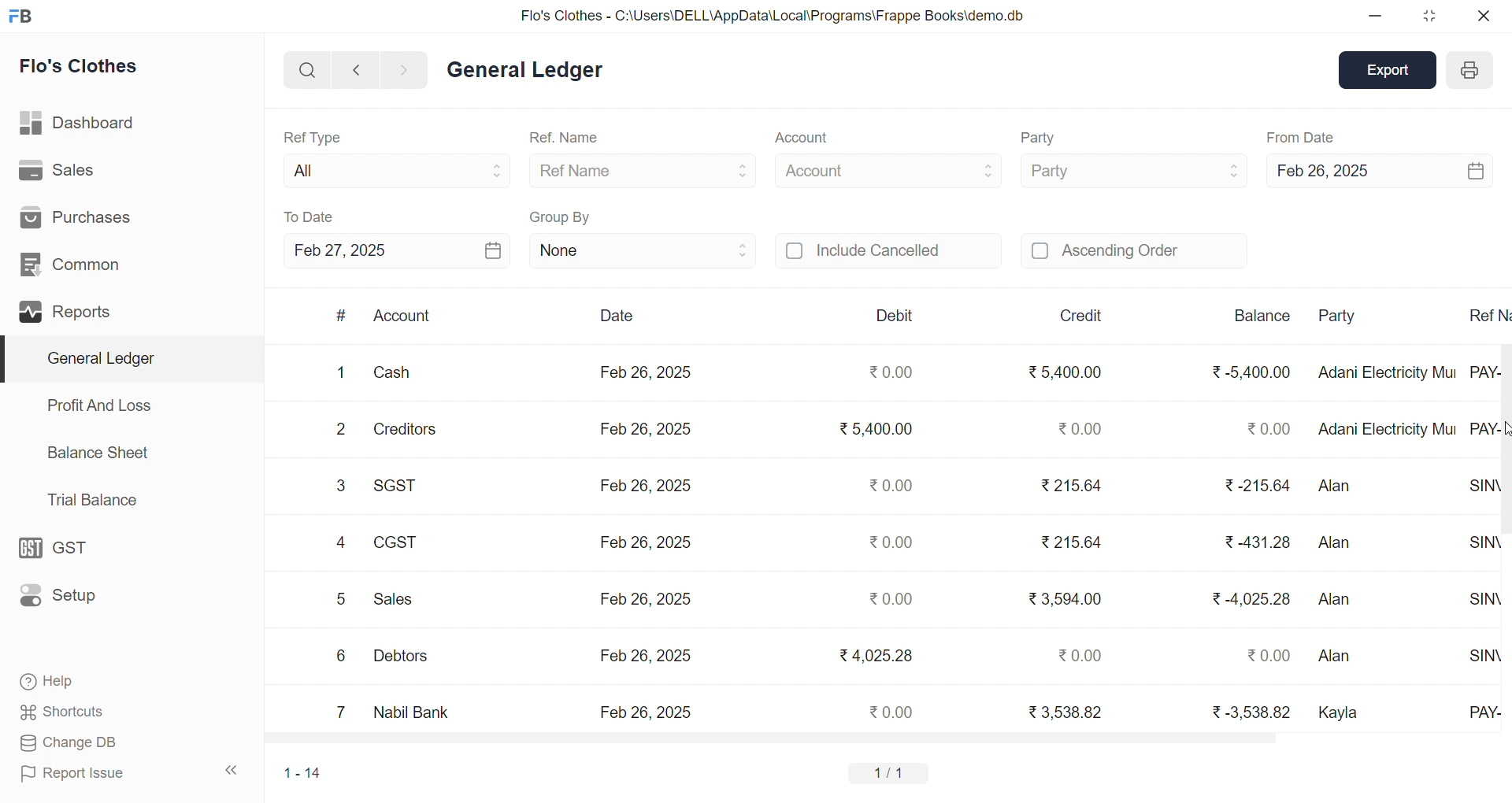 This screenshot has width=1512, height=803. Describe the element at coordinates (397, 250) in the screenshot. I see `Feb 27, 2025` at that location.